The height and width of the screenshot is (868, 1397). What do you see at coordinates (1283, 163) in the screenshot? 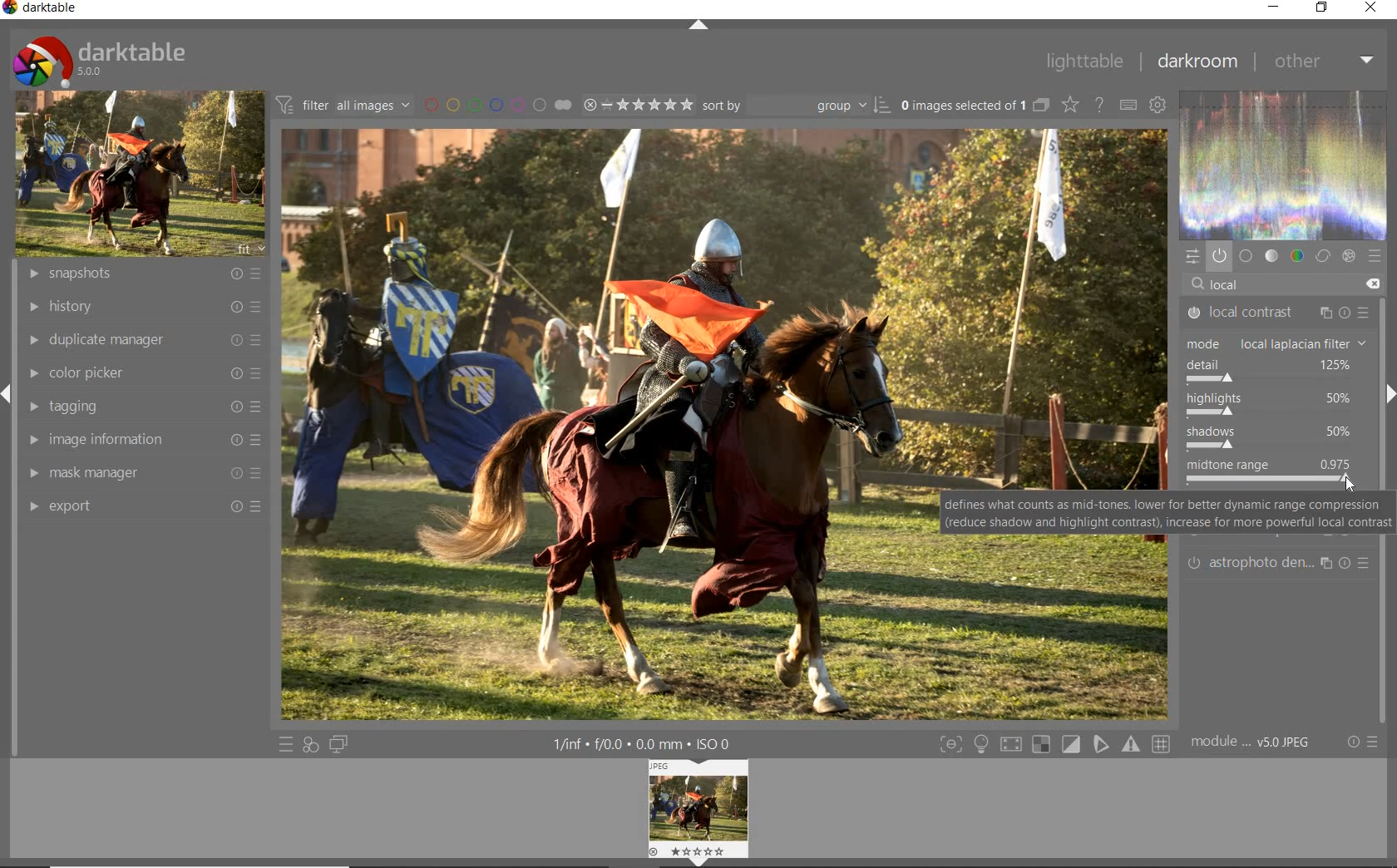
I see `waveform` at bounding box center [1283, 163].